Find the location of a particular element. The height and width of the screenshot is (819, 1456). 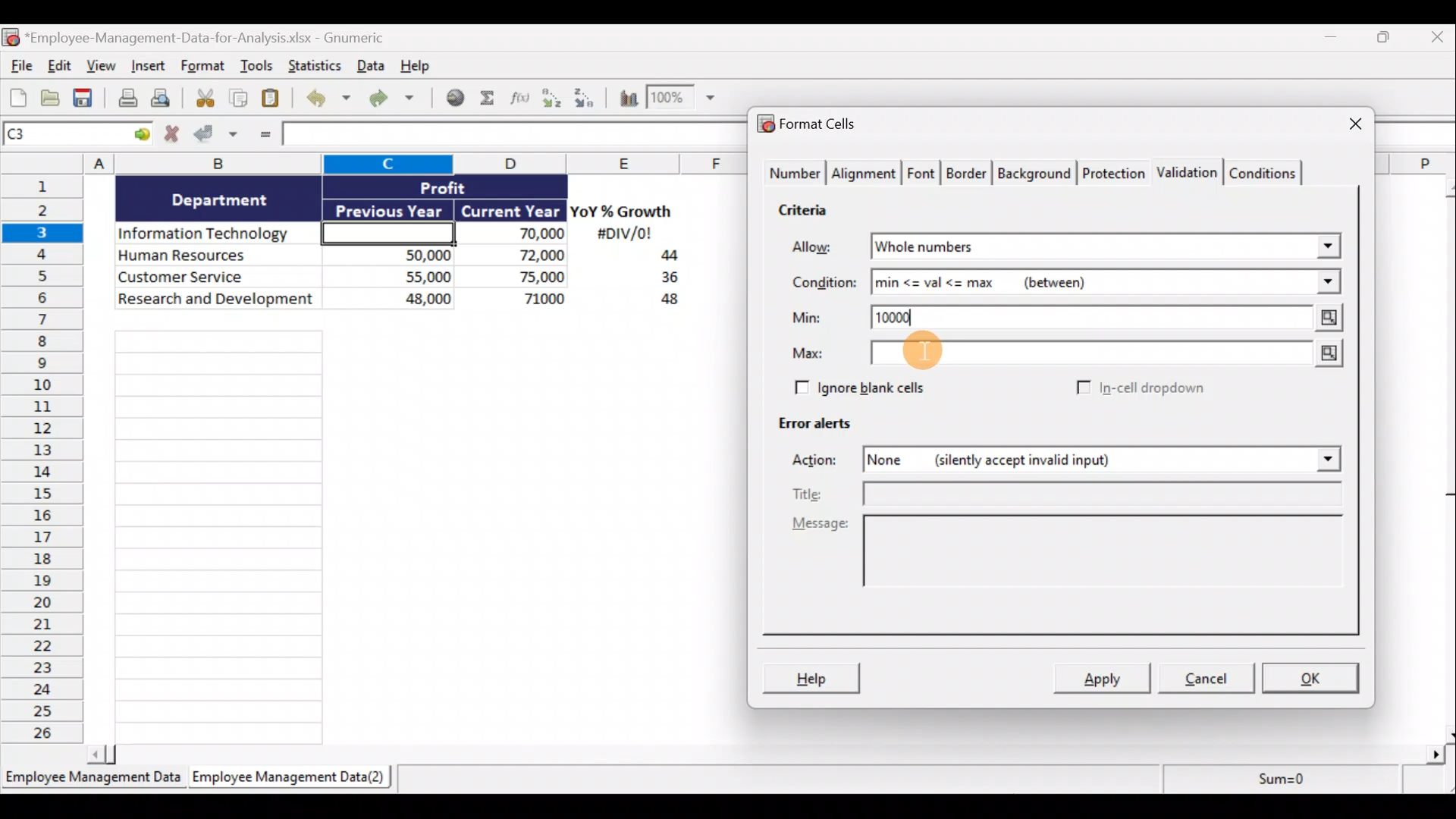

In-cell dropdown is located at coordinates (1139, 389).